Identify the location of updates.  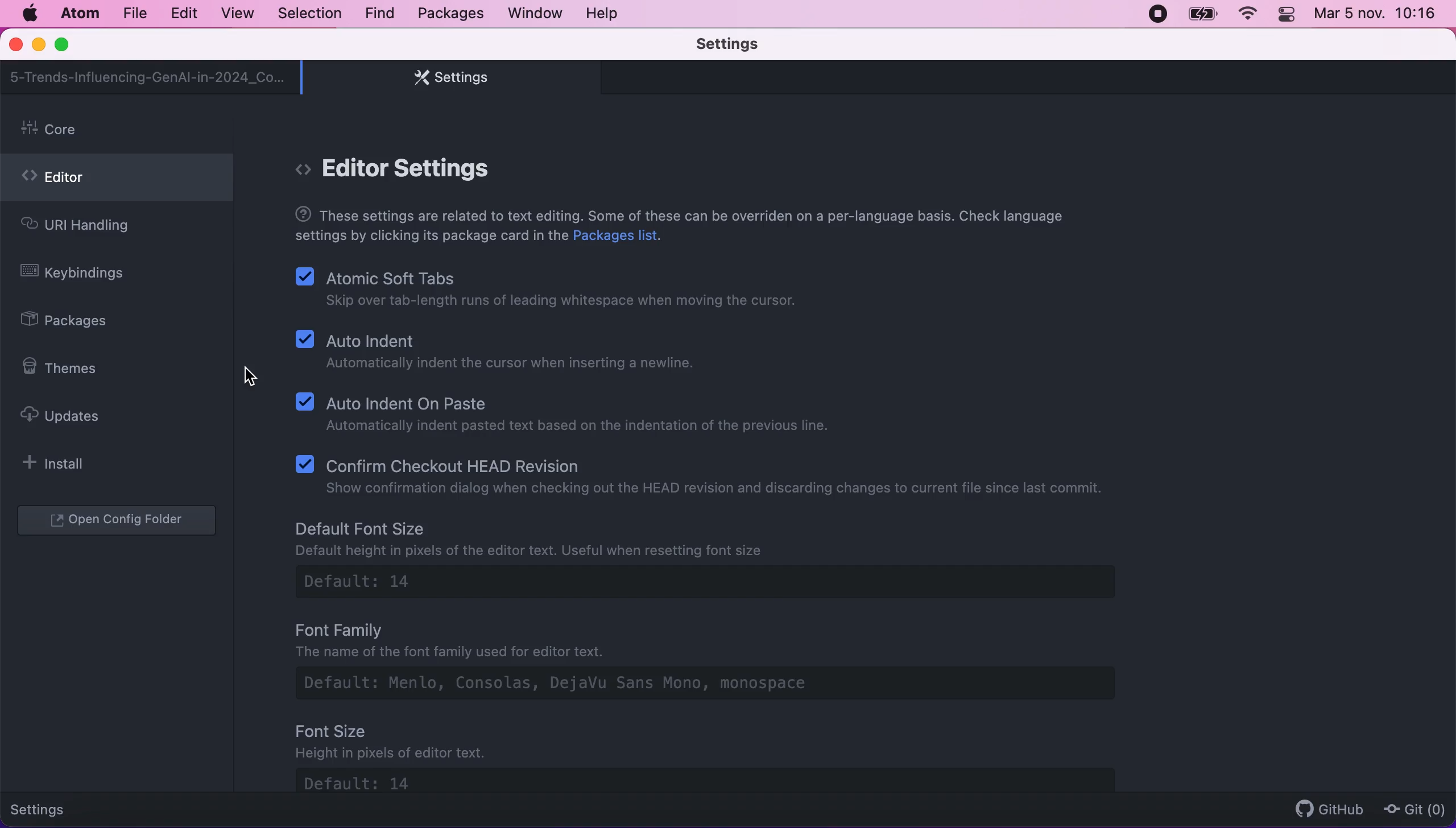
(71, 415).